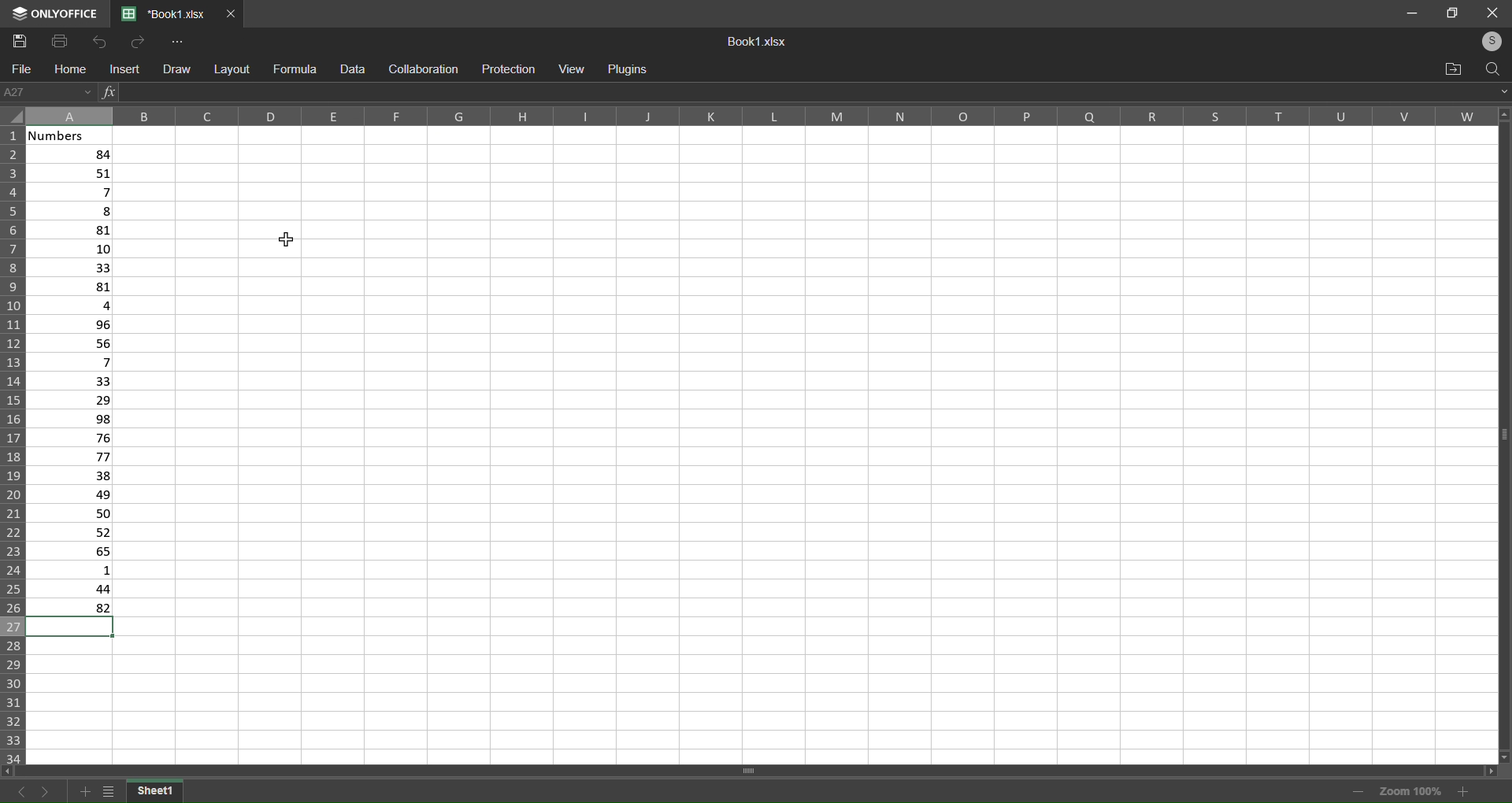  I want to click on login, so click(1493, 40).